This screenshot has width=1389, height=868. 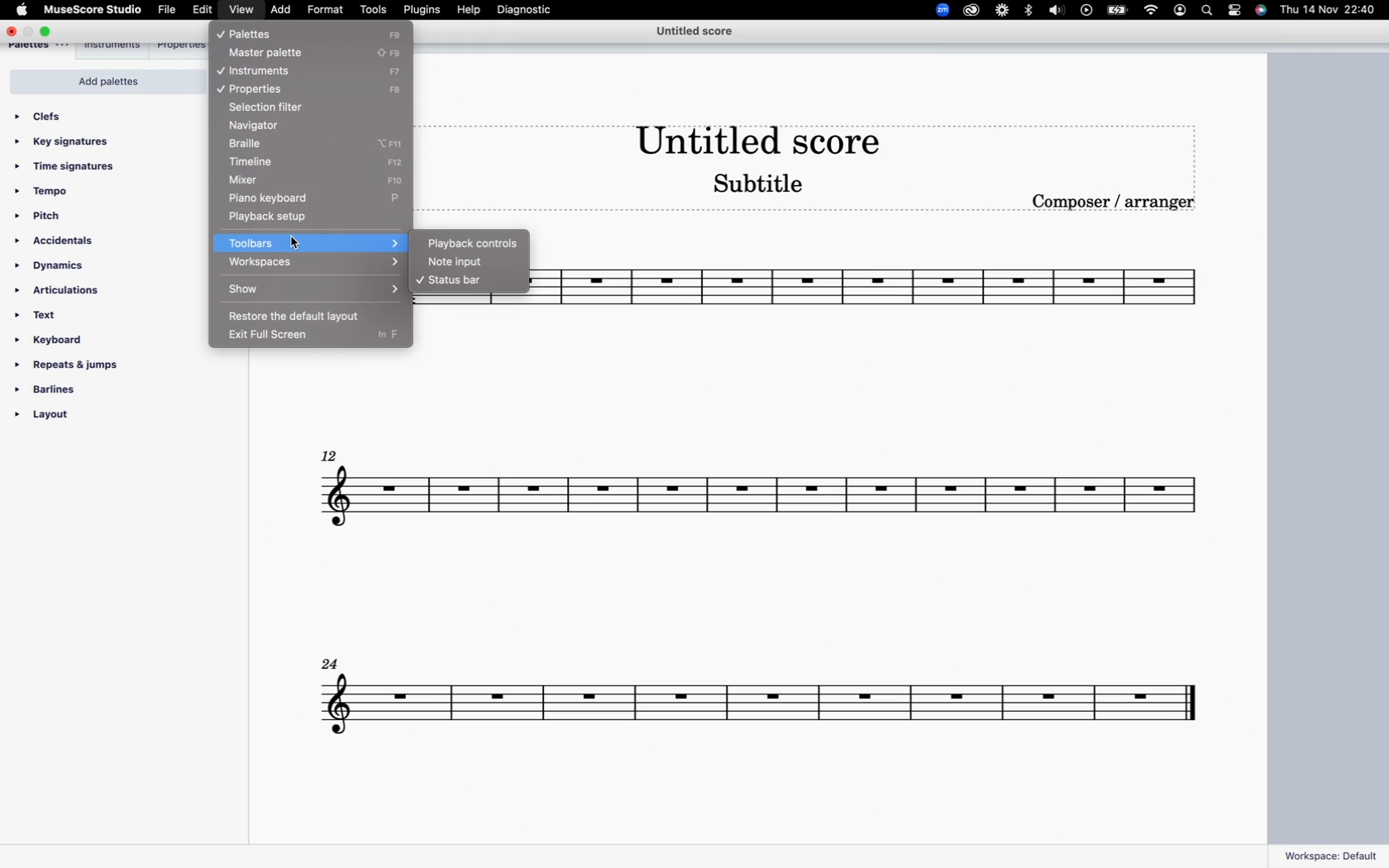 What do you see at coordinates (971, 12) in the screenshot?
I see `creative cloud` at bounding box center [971, 12].